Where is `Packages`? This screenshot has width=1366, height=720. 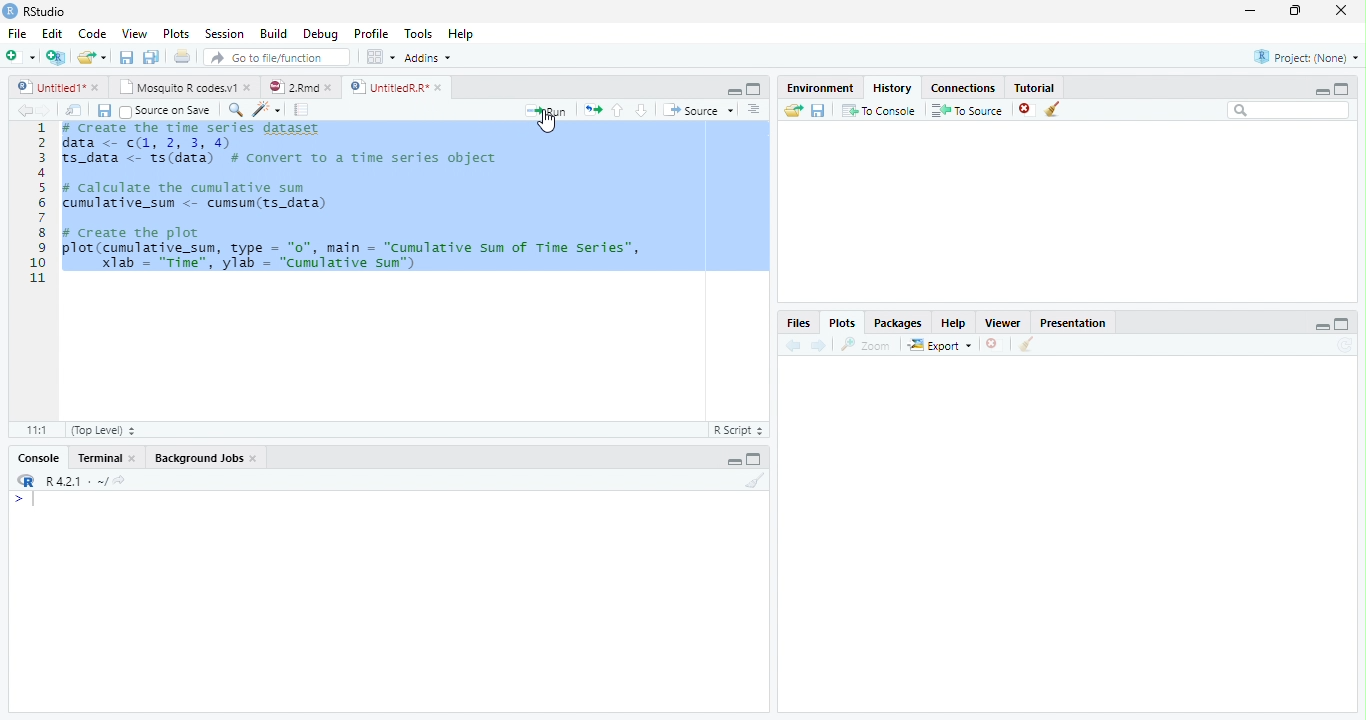 Packages is located at coordinates (896, 323).